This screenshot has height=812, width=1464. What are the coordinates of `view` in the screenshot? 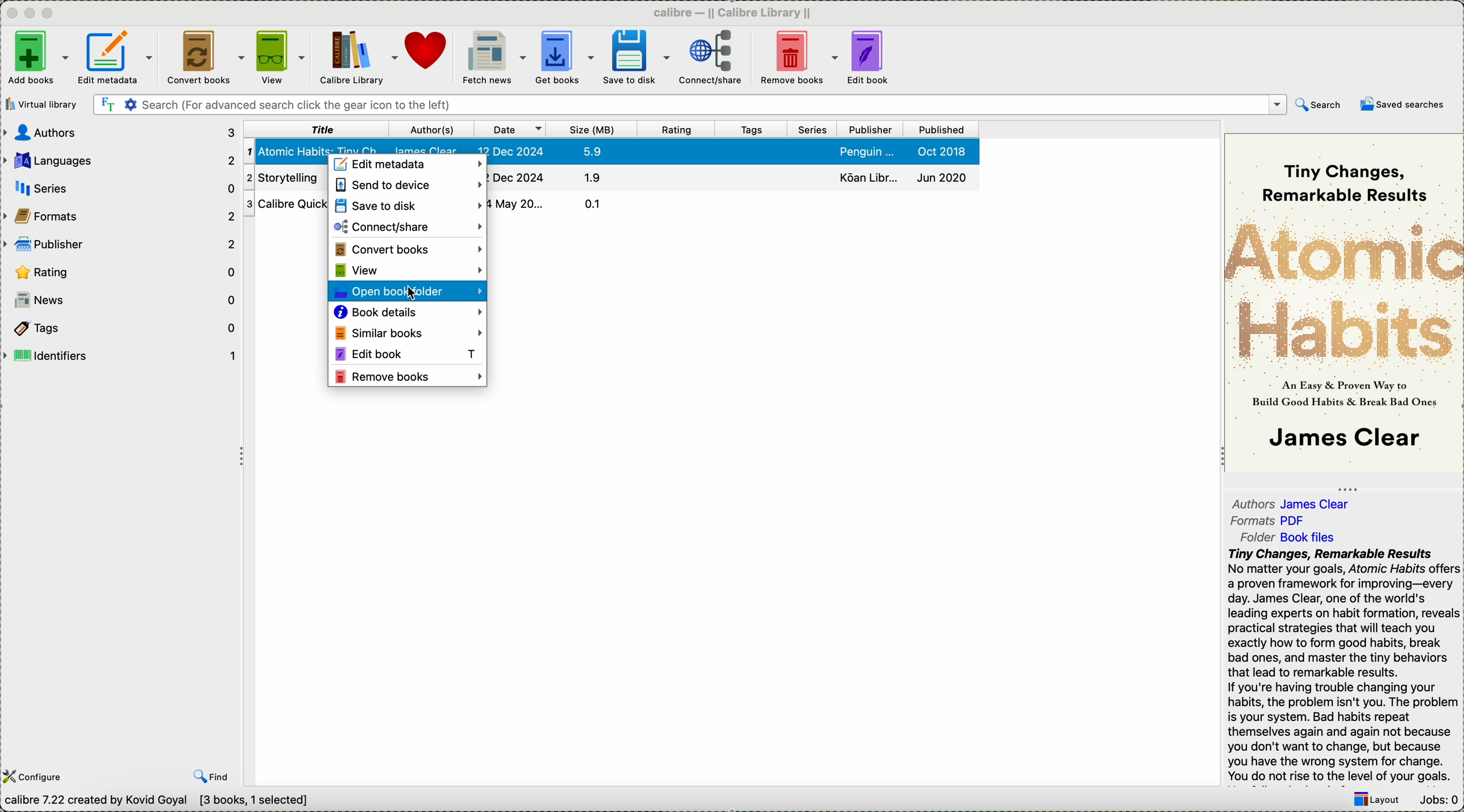 It's located at (407, 270).